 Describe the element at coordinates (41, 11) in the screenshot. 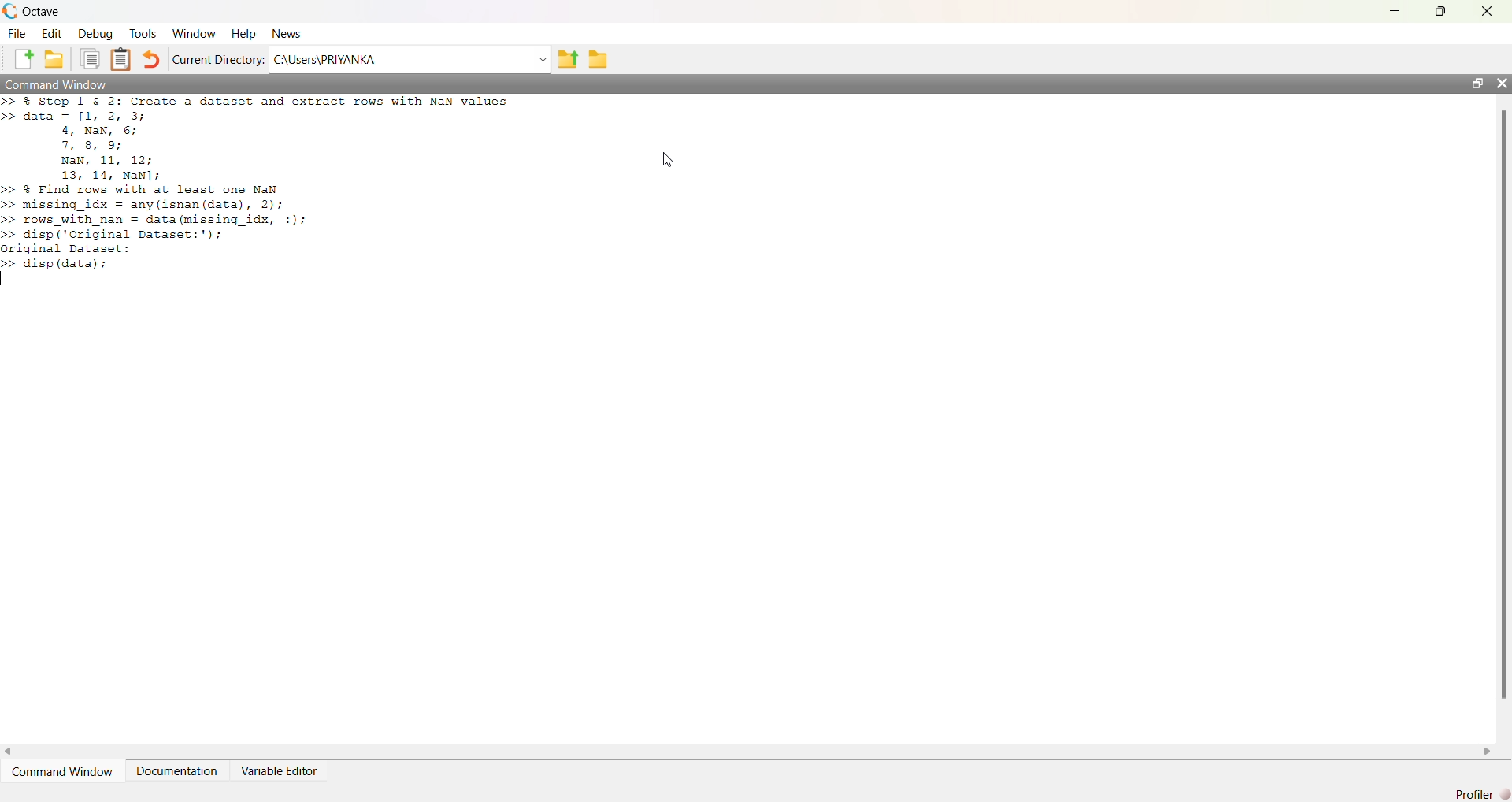

I see `Octave` at that location.